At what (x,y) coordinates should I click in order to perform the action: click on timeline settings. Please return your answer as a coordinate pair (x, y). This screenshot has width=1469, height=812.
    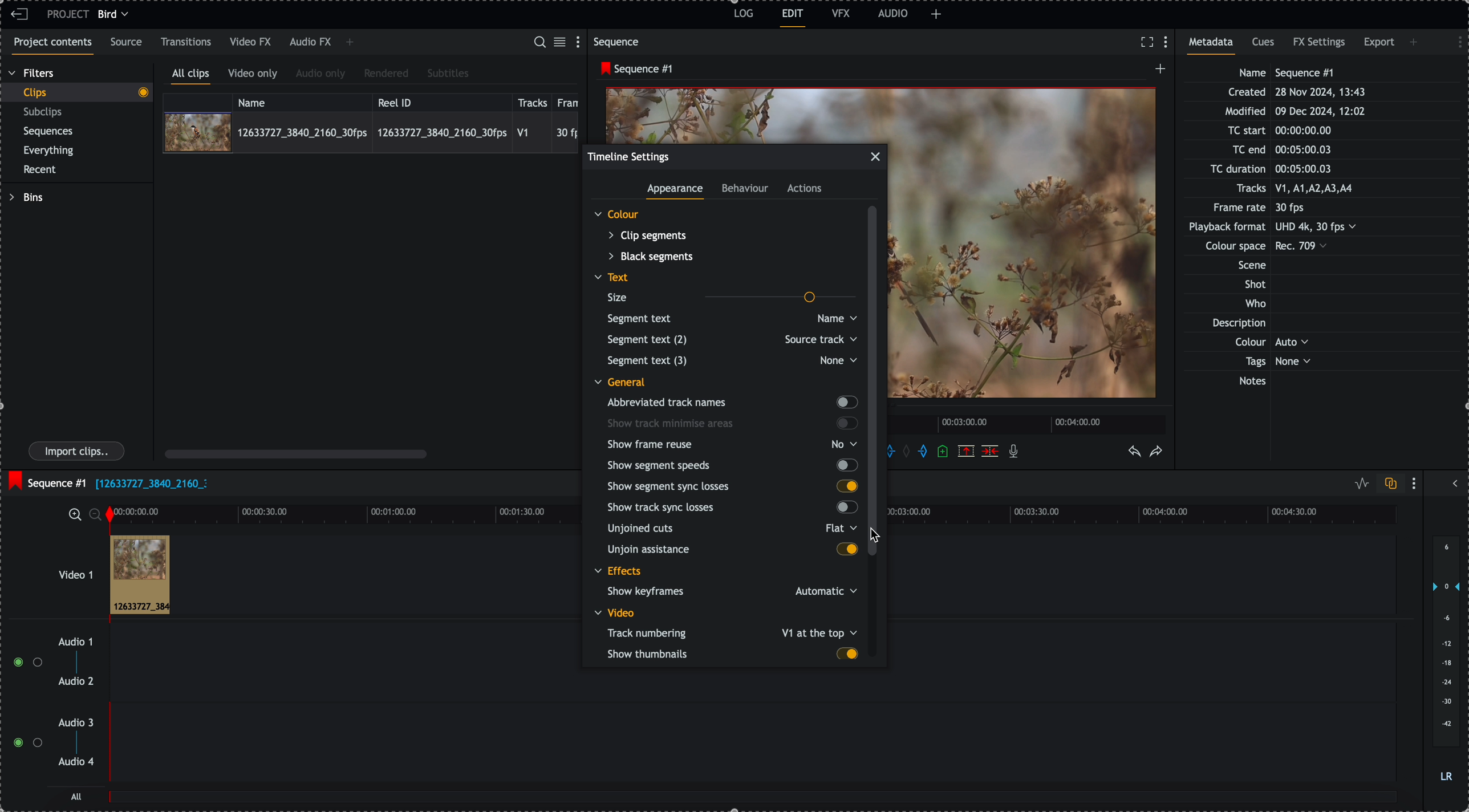
    Looking at the image, I should click on (629, 156).